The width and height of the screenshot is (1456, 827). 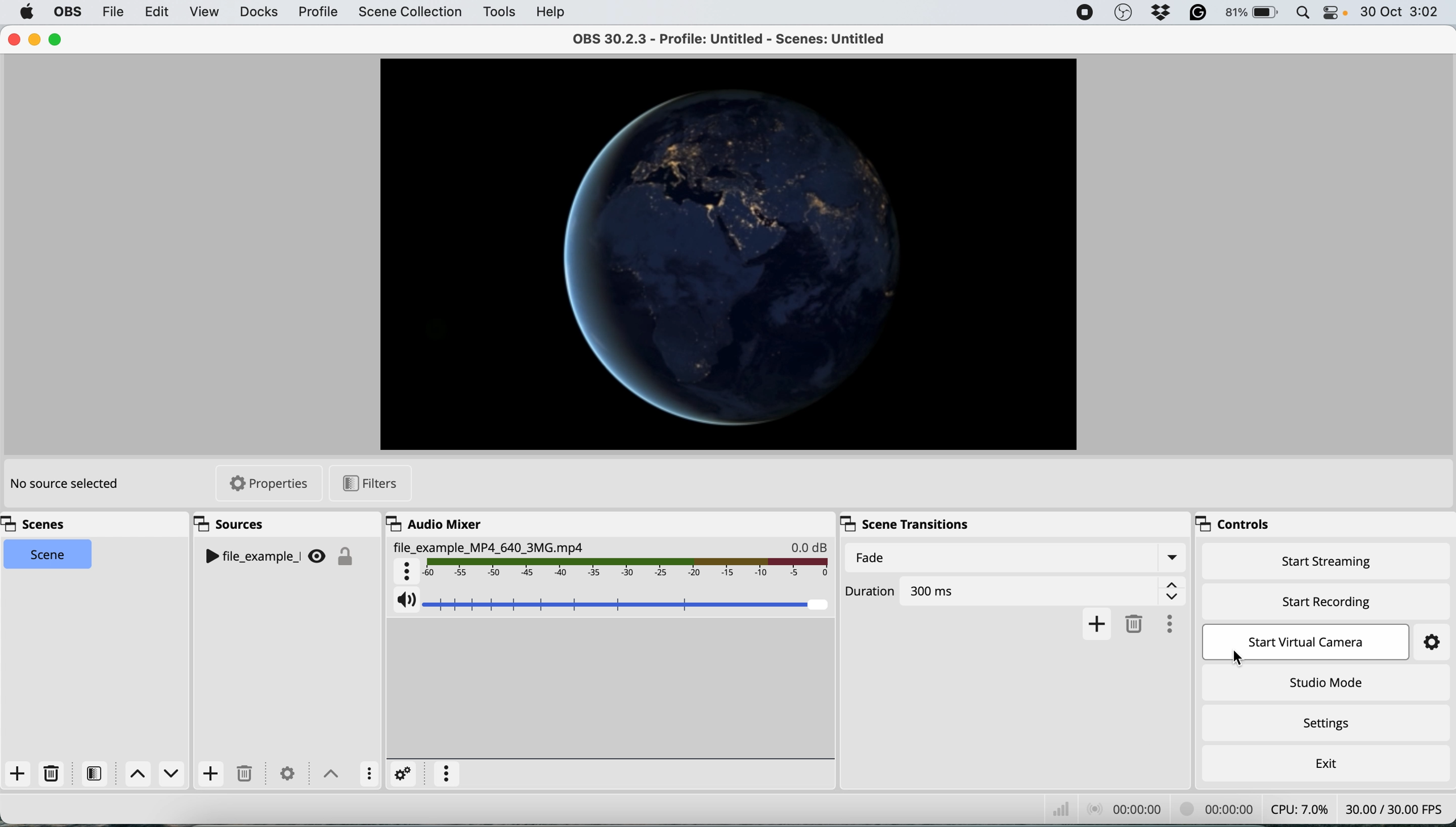 What do you see at coordinates (1013, 591) in the screenshot?
I see `duration` at bounding box center [1013, 591].